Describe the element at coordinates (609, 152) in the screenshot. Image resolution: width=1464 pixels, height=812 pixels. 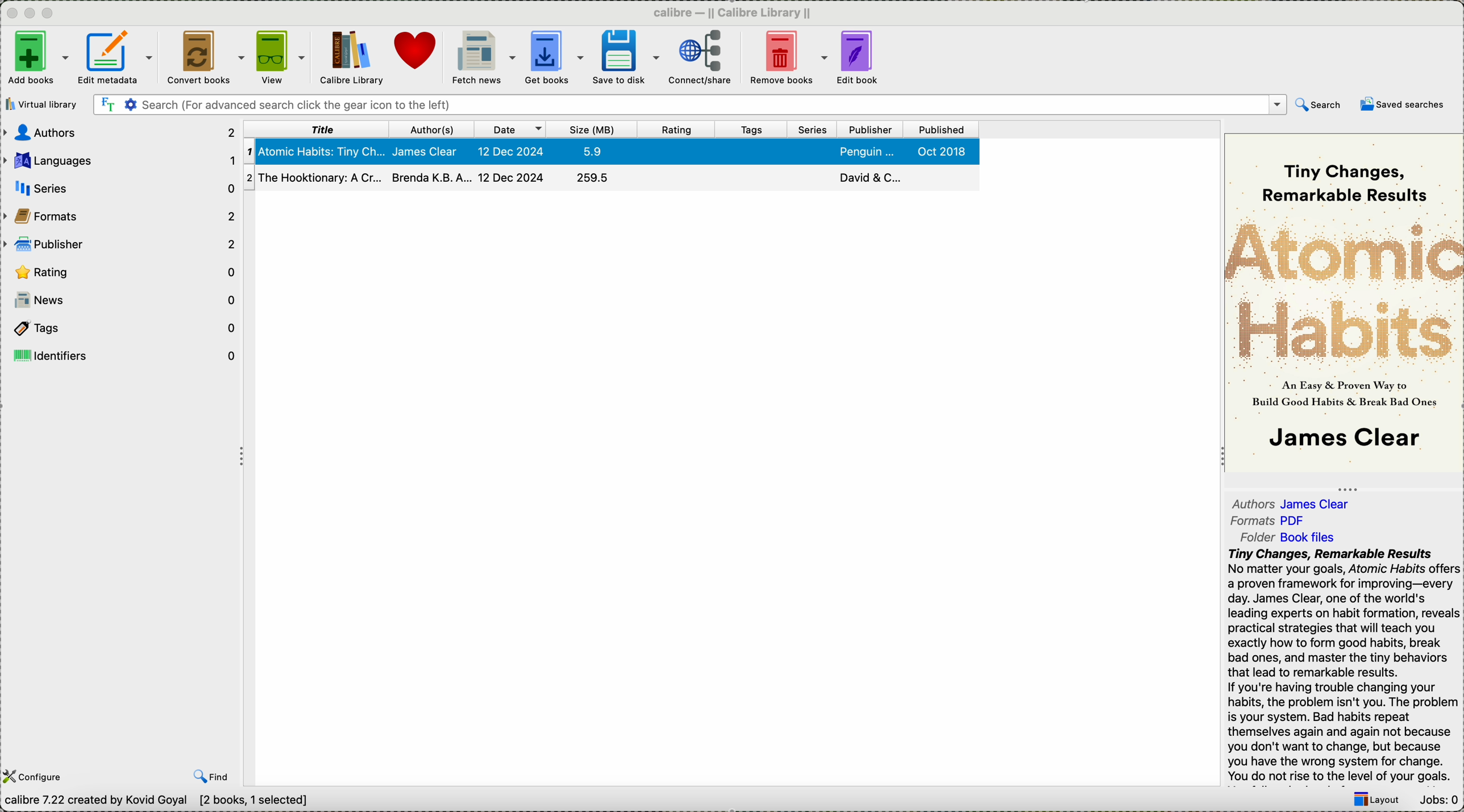
I see ` first book` at that location.